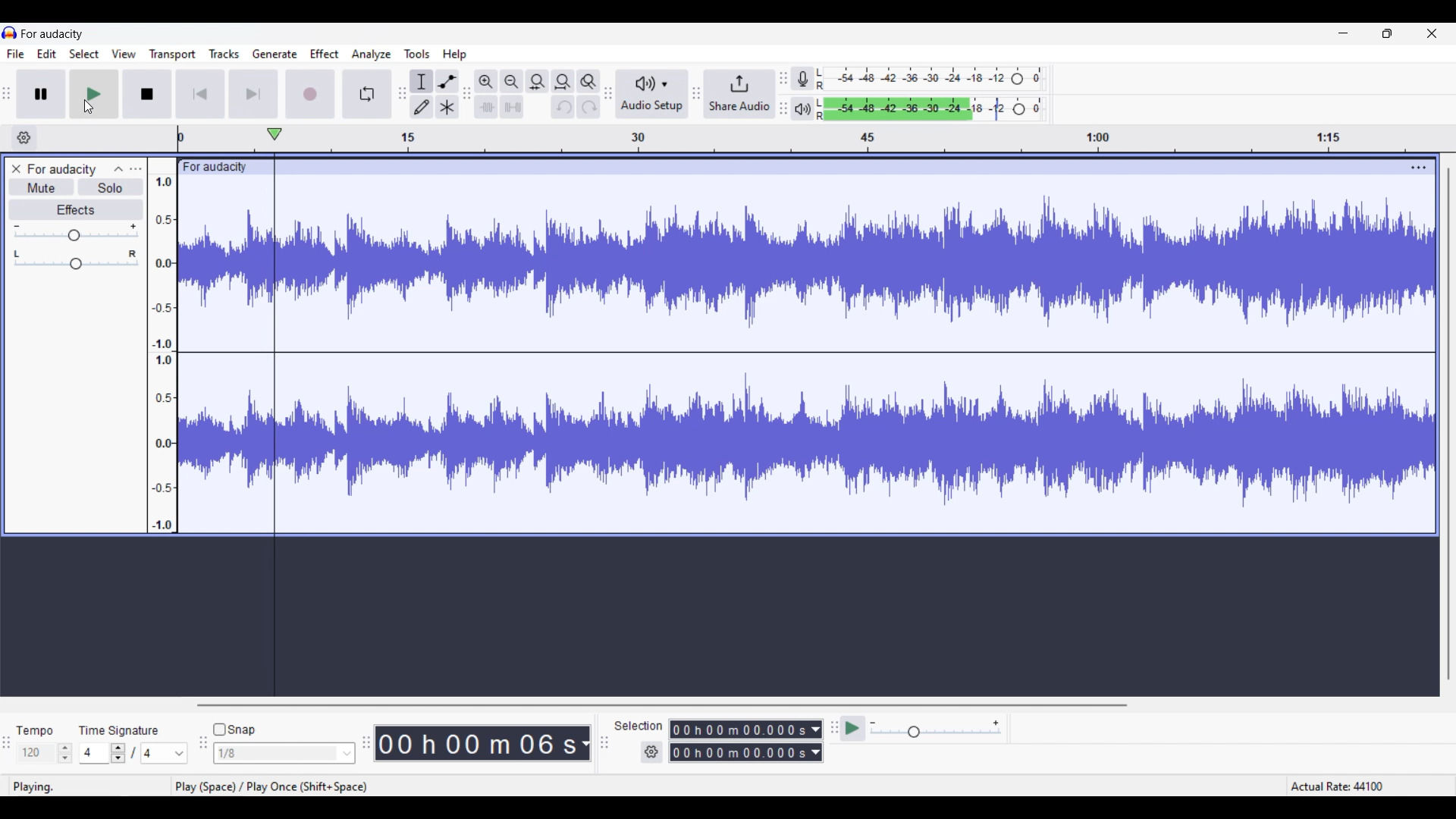 This screenshot has width=1456, height=819. I want to click on Selection tool, so click(422, 81).